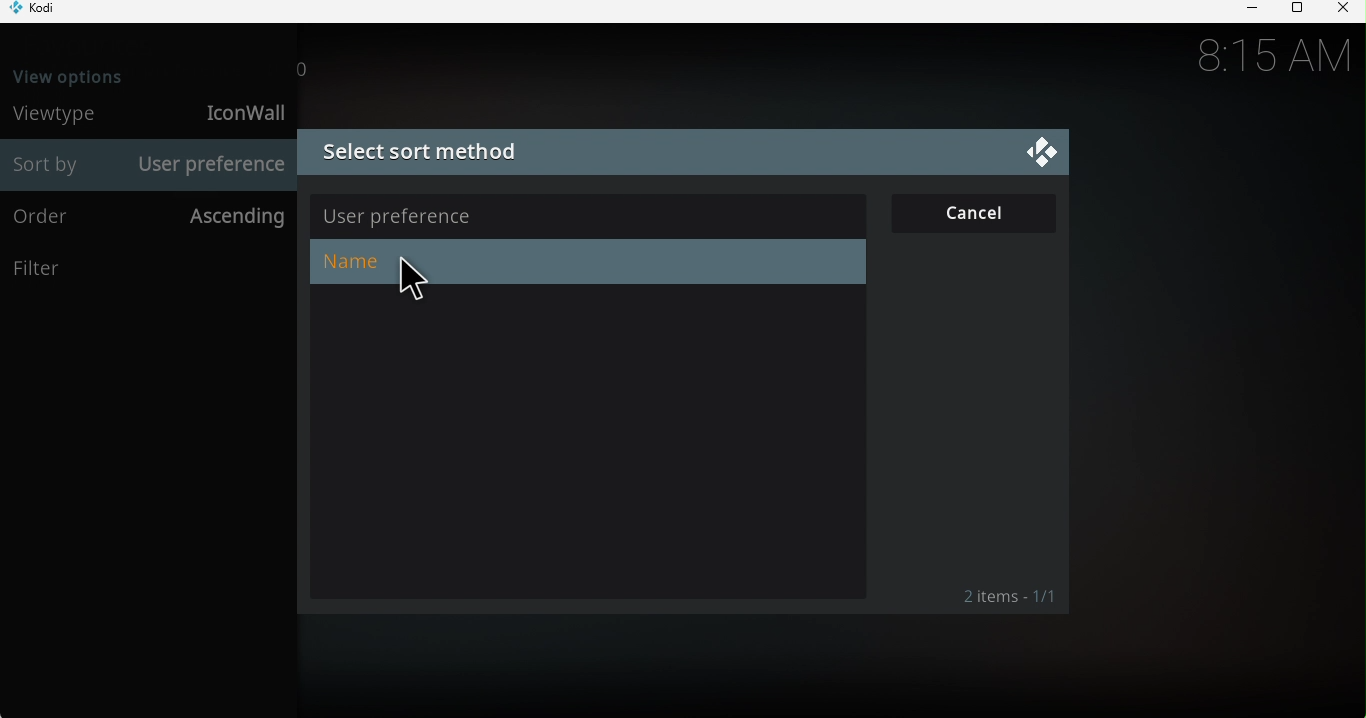 The width and height of the screenshot is (1366, 718). What do you see at coordinates (975, 210) in the screenshot?
I see `Cancel` at bounding box center [975, 210].